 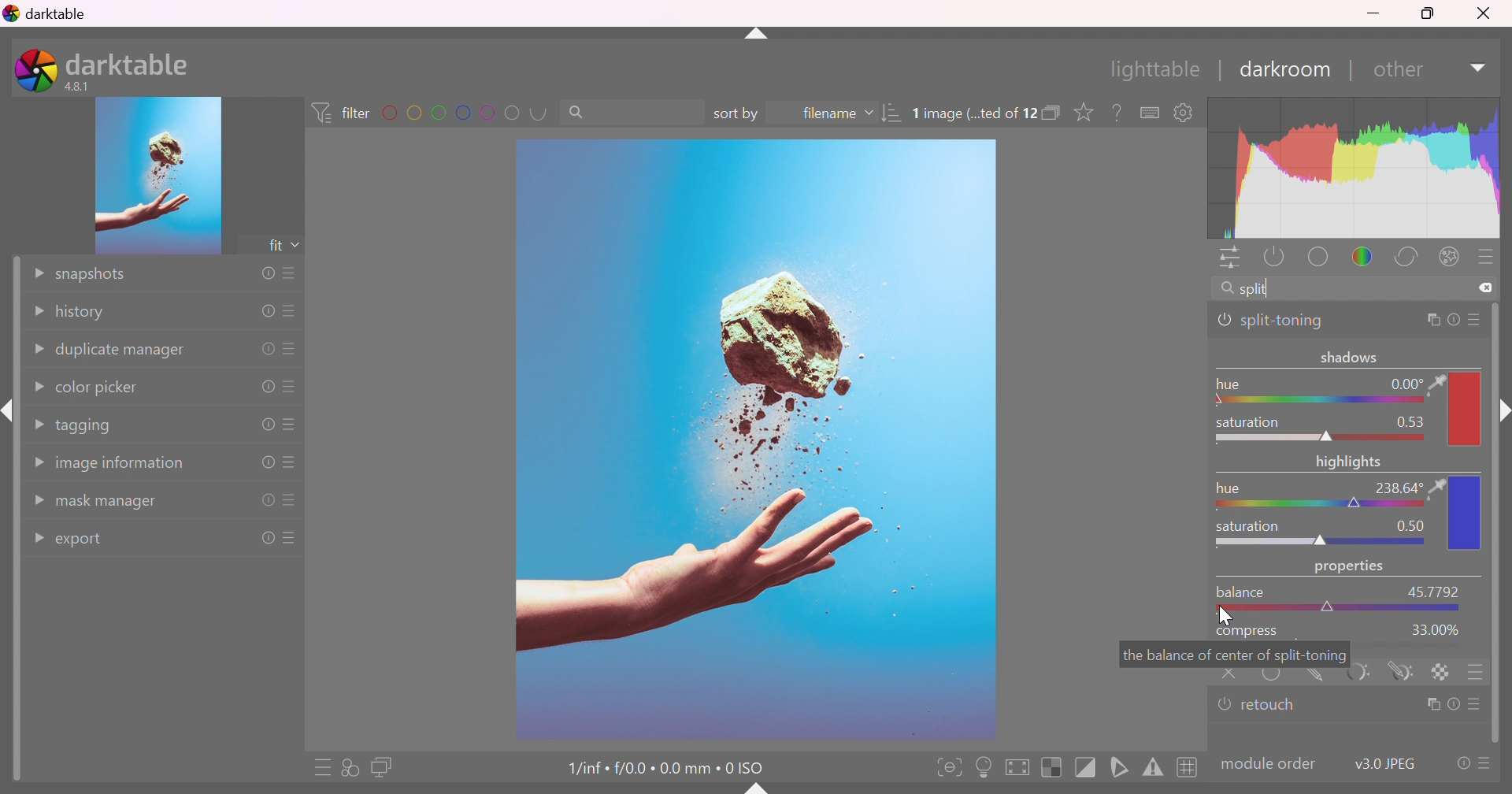 I want to click on blending options, so click(x=1477, y=673).